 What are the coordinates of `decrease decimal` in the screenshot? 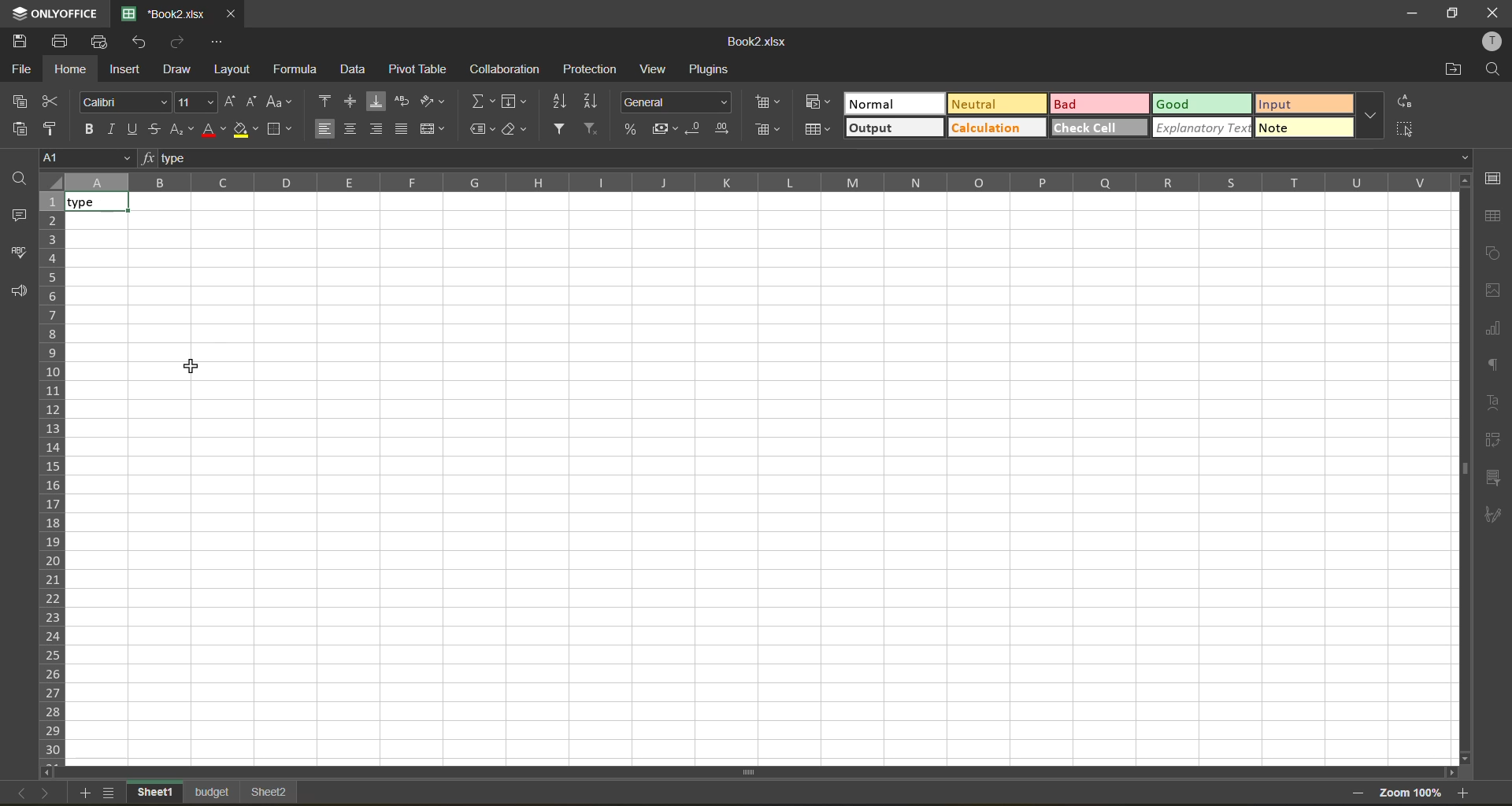 It's located at (695, 128).